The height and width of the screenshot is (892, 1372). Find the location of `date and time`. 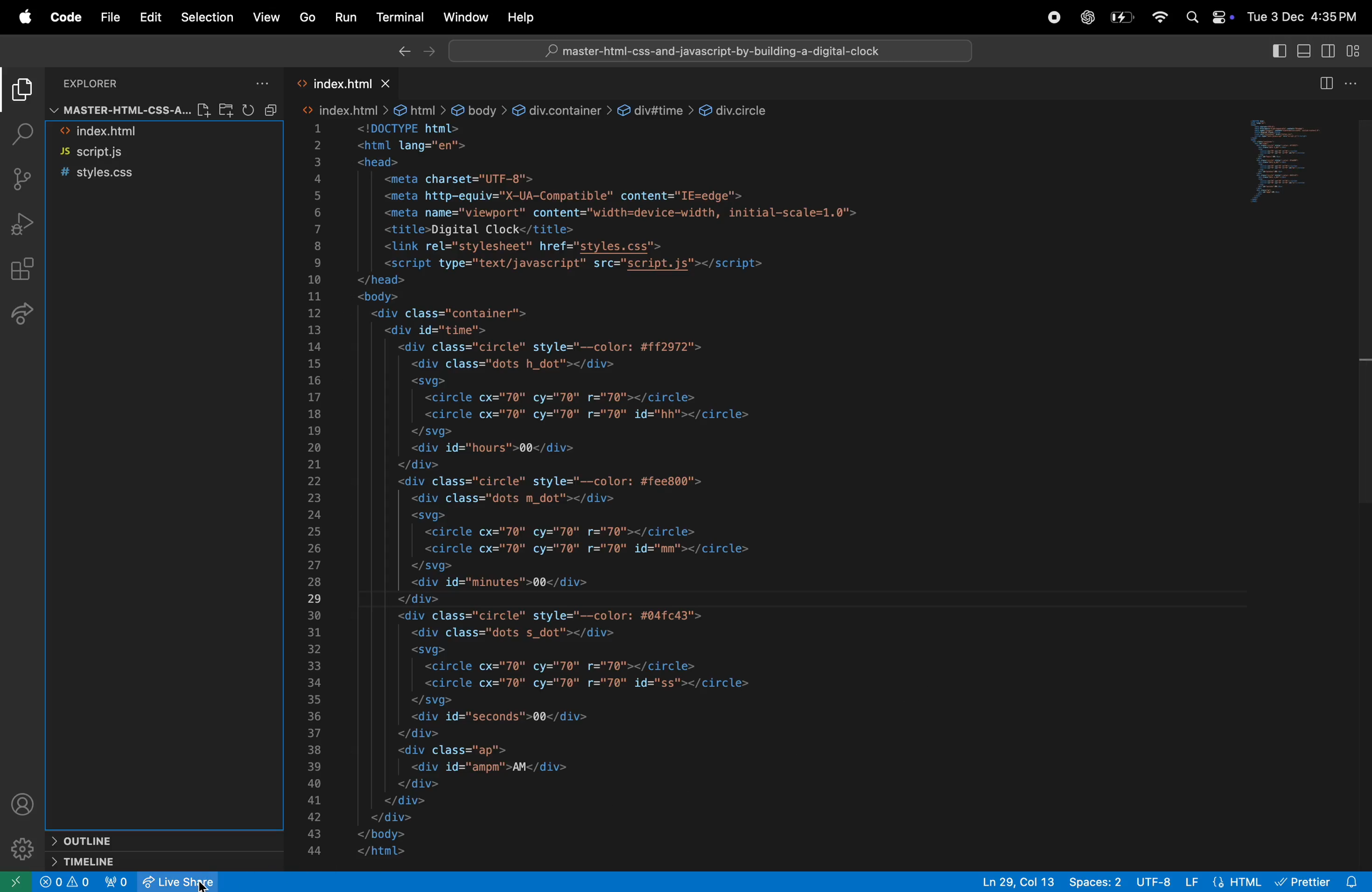

date and time is located at coordinates (1305, 16).